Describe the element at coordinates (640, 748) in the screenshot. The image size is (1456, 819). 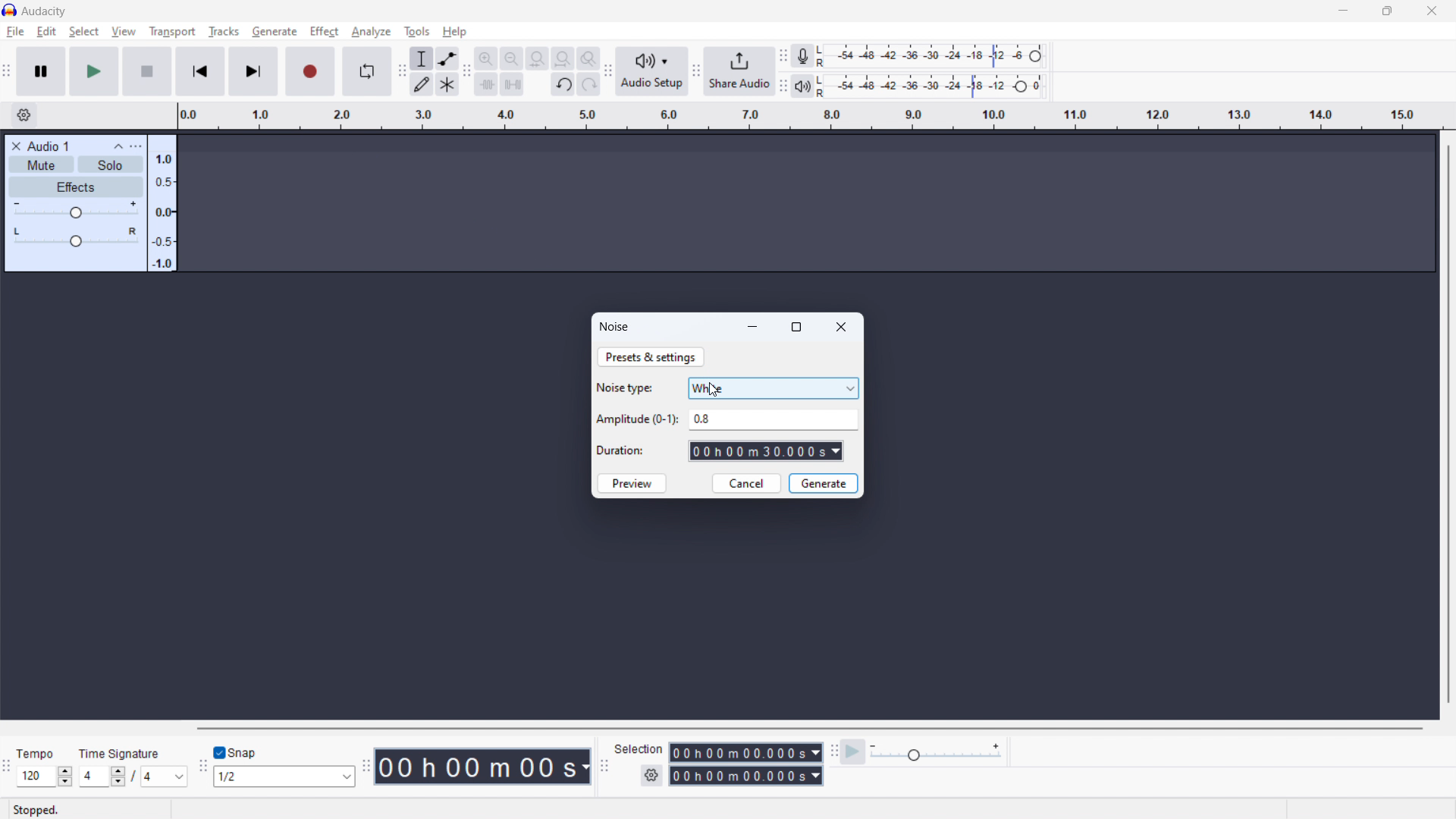
I see `Selection` at that location.